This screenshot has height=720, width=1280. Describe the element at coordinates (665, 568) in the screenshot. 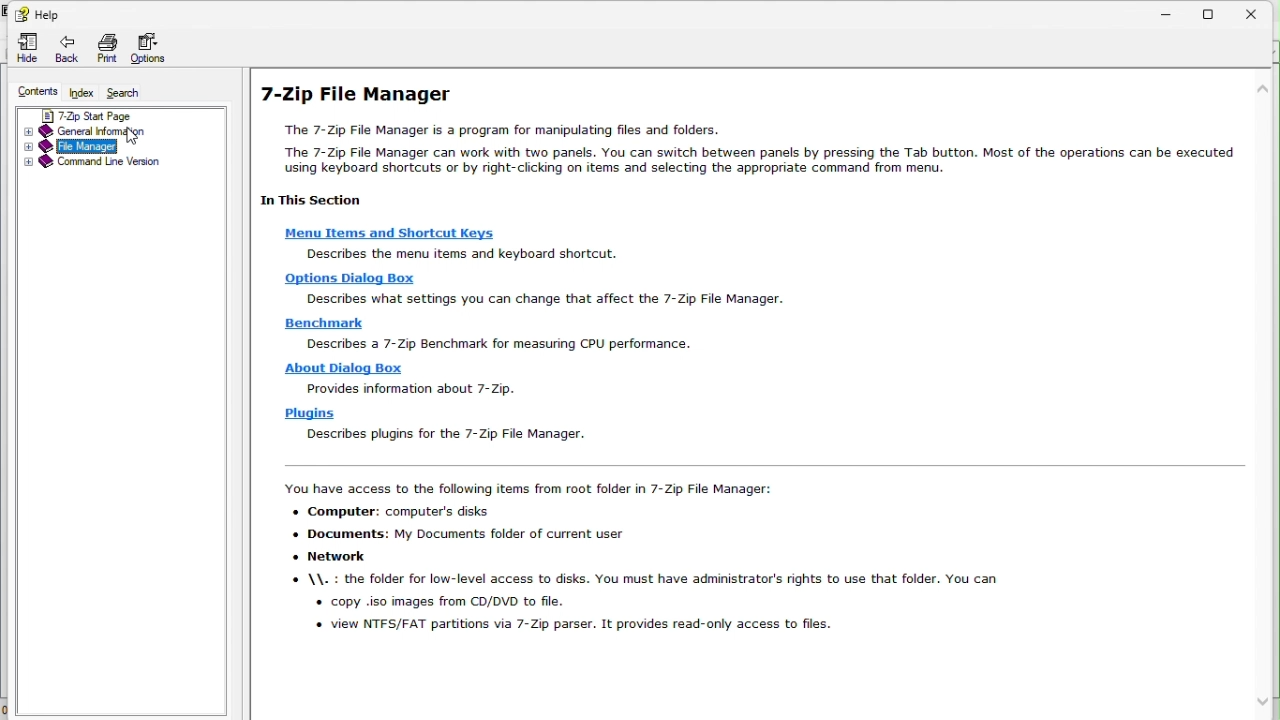

I see `You have access to the following items from root folder in 7-Zip File Manager:
+ Computer: computer's disks
+ Documents: My Documents folder of current user
« Network
 \\. : the folder for low-level access to disks. You must have administrator's rights to use that folder. You can
« copy .iso images from CD/DVD to file.
« view NTFS/FAT partitions via 7-Zip parser. It provides read-only access to files.` at that location.